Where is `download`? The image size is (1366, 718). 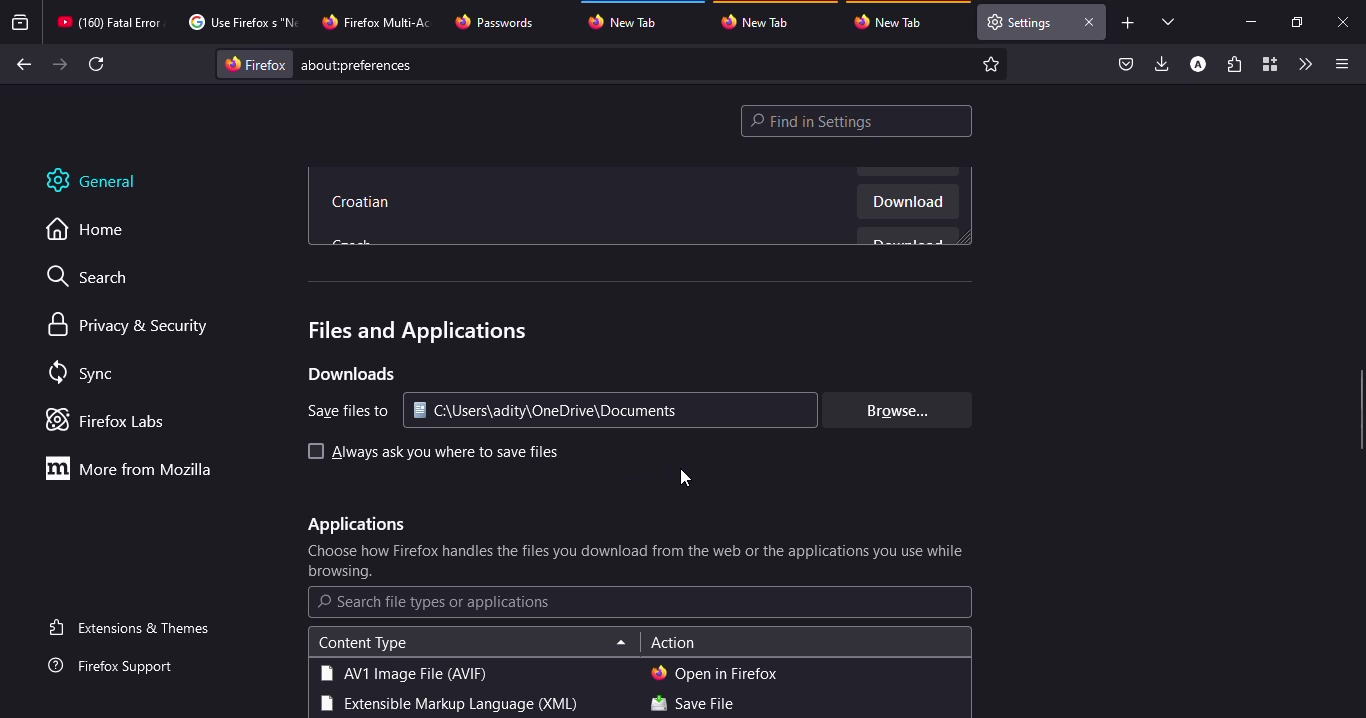
download is located at coordinates (908, 204).